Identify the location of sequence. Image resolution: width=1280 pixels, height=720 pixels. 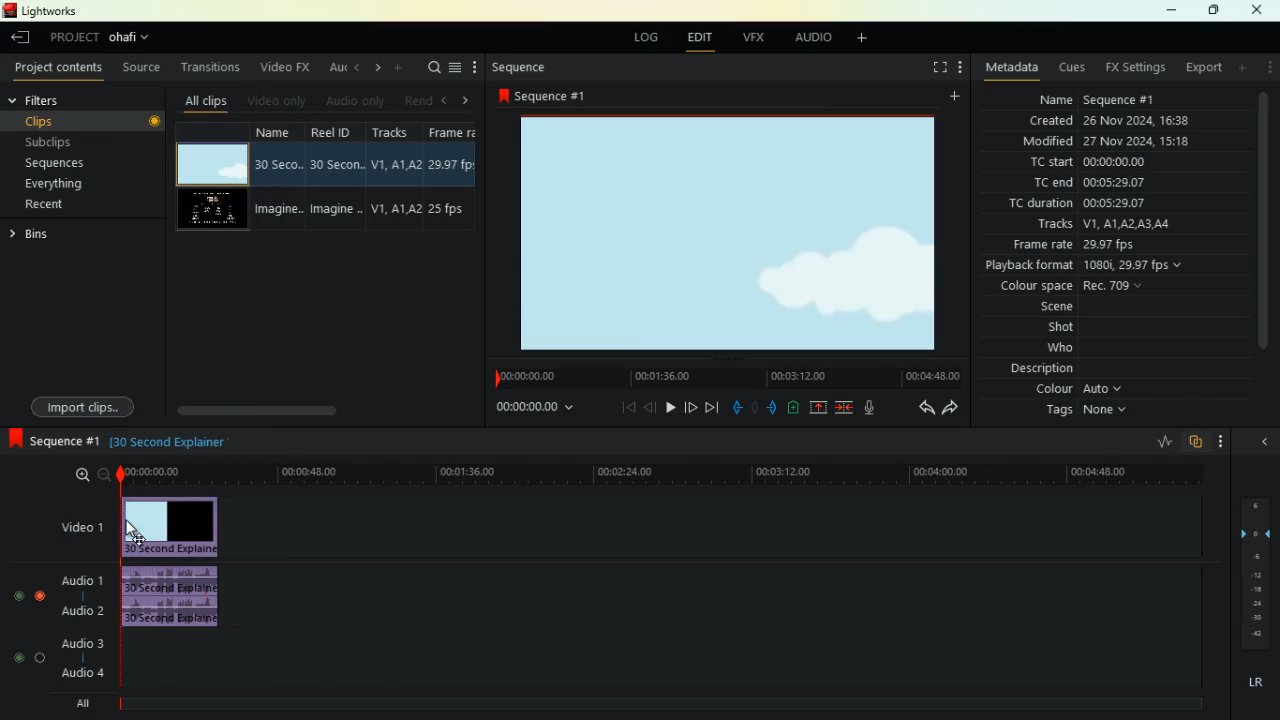
(50, 438).